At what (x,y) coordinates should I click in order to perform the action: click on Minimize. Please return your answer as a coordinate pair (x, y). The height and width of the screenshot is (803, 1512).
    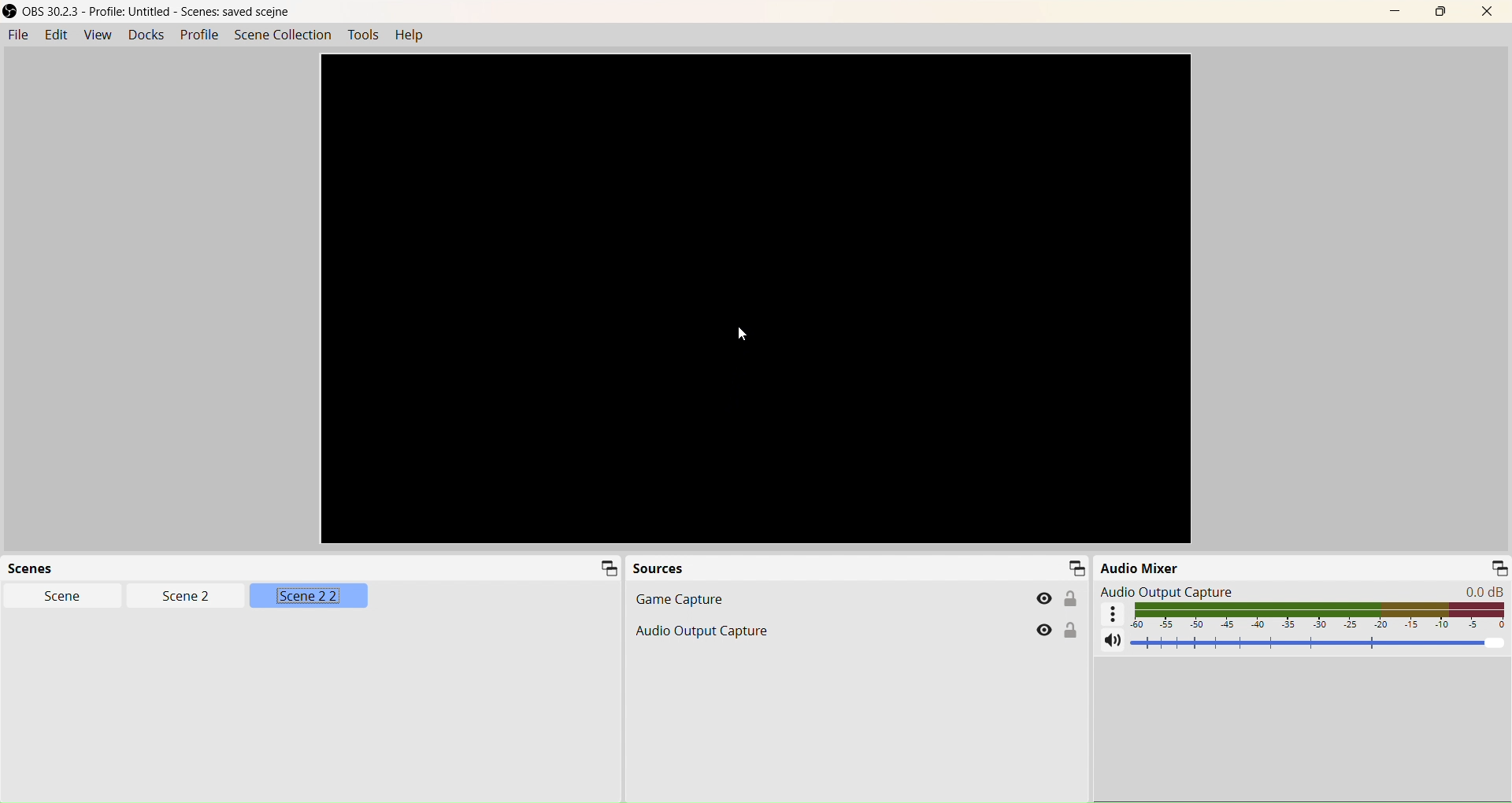
    Looking at the image, I should click on (1075, 567).